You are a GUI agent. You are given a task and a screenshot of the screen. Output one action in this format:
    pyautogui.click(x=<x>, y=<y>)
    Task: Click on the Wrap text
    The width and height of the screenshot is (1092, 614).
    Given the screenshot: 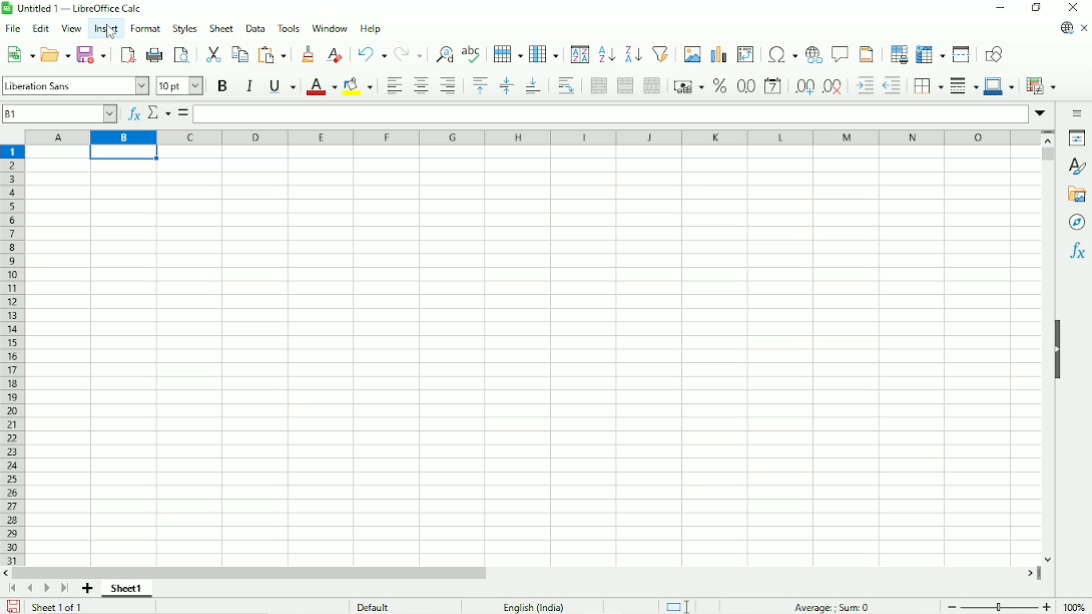 What is the action you would take?
    pyautogui.click(x=565, y=85)
    